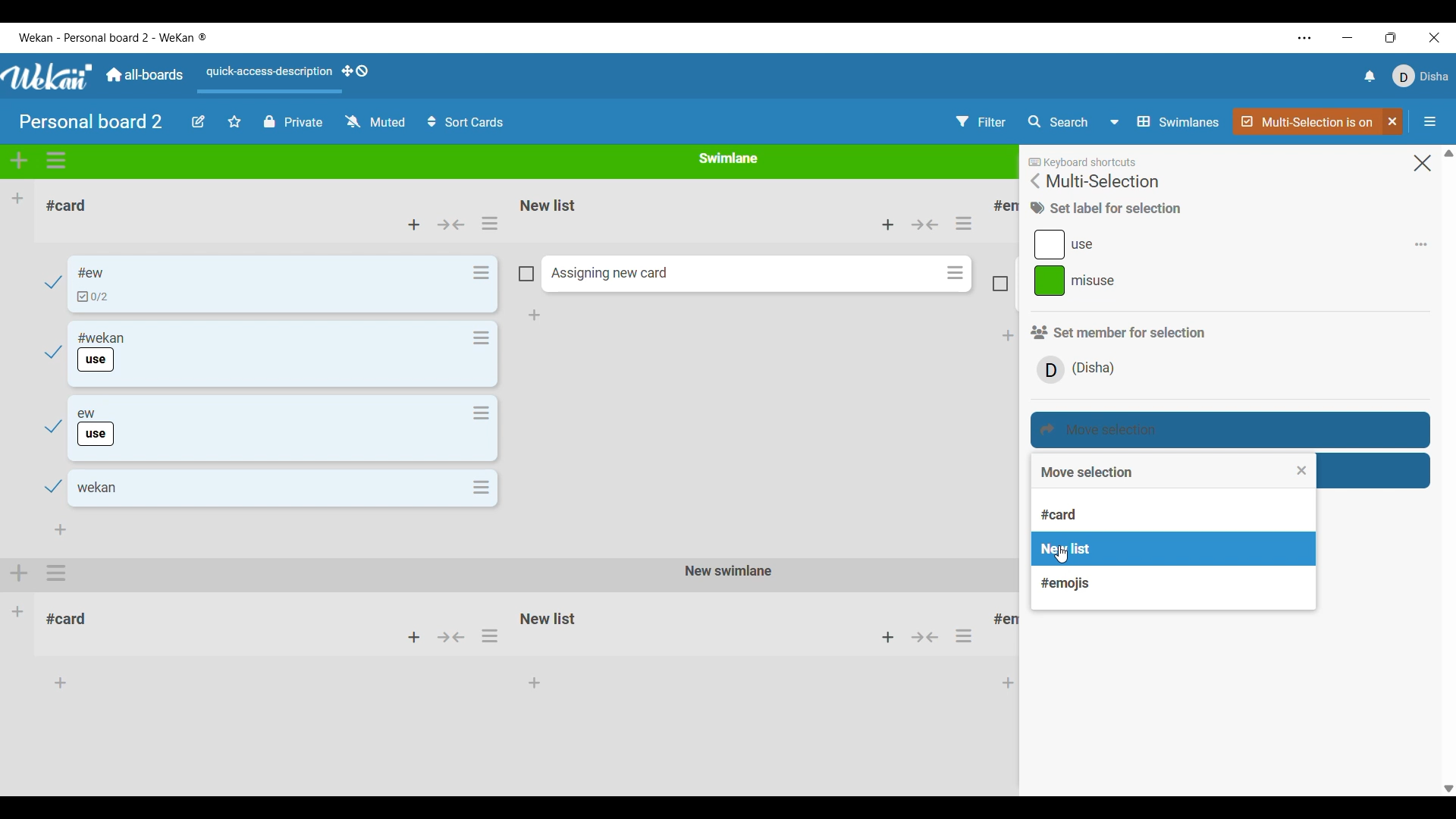 The image size is (1456, 819). I want to click on Card name, so click(95, 272).